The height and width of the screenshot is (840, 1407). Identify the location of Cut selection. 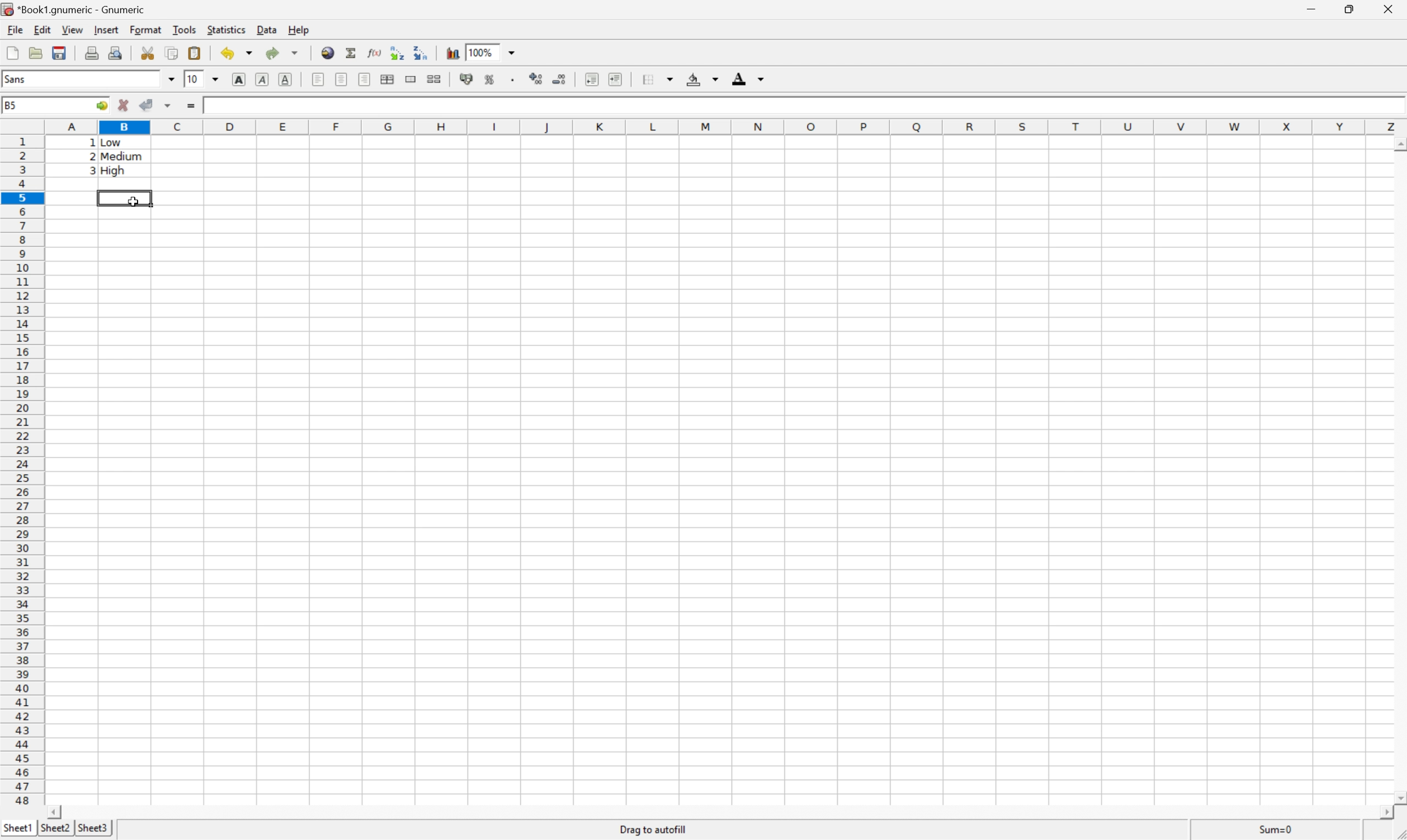
(148, 53).